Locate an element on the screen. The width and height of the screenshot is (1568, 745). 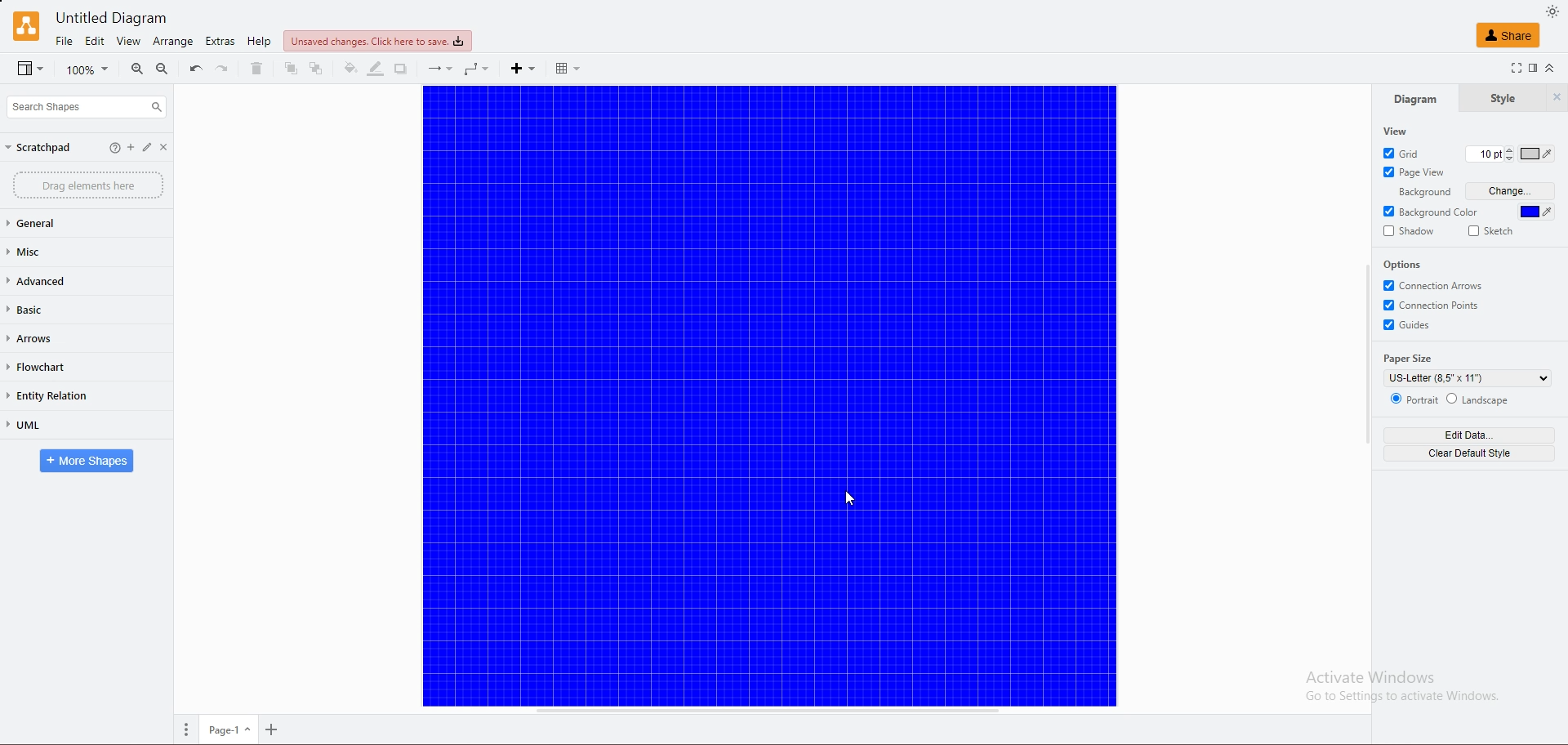
background color is located at coordinates (1432, 212).